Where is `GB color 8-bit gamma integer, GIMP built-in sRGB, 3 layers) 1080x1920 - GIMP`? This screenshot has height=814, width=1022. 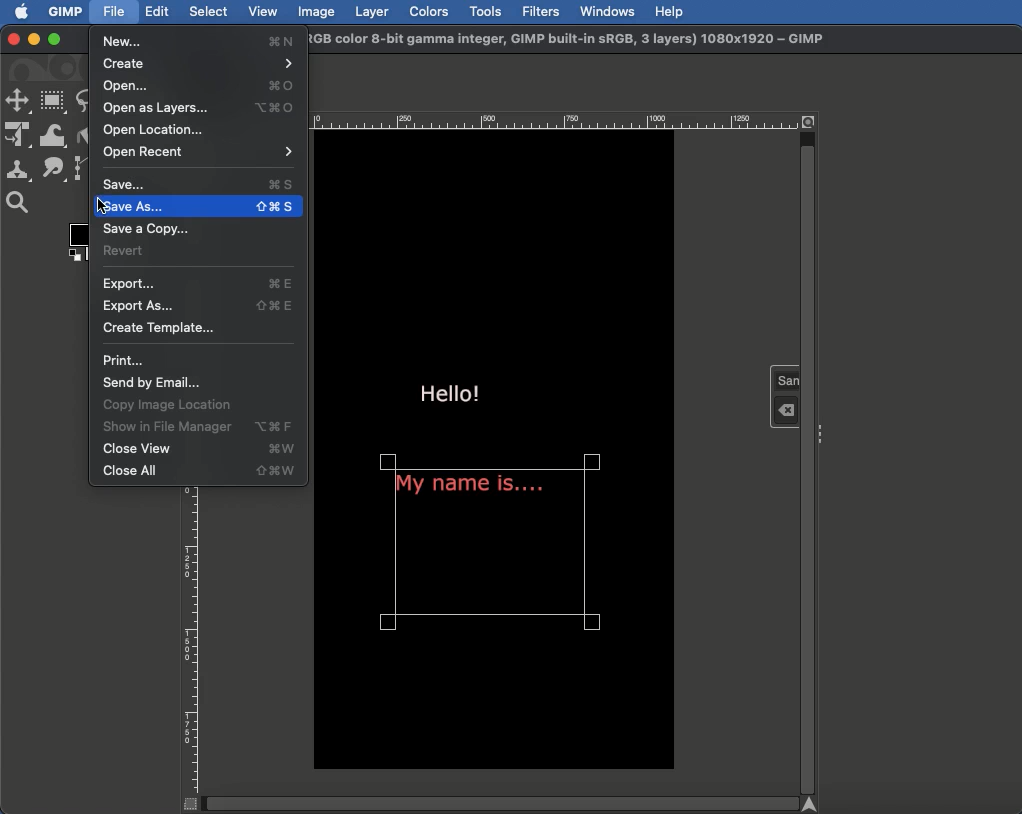
GB color 8-bit gamma integer, GIMP built-in sRGB, 3 layers) 1080x1920 - GIMP is located at coordinates (569, 40).